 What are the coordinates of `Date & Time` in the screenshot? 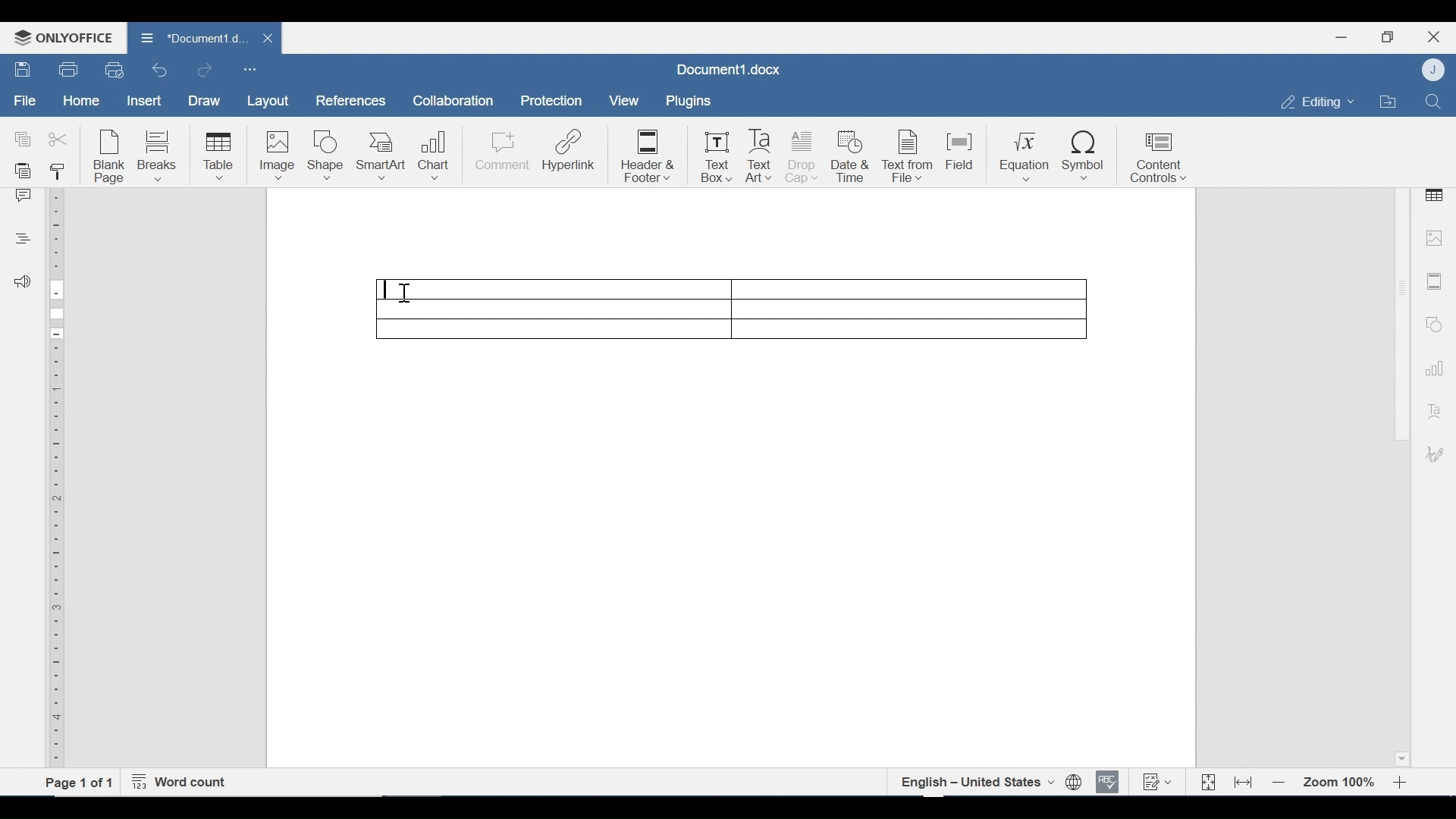 It's located at (852, 158).